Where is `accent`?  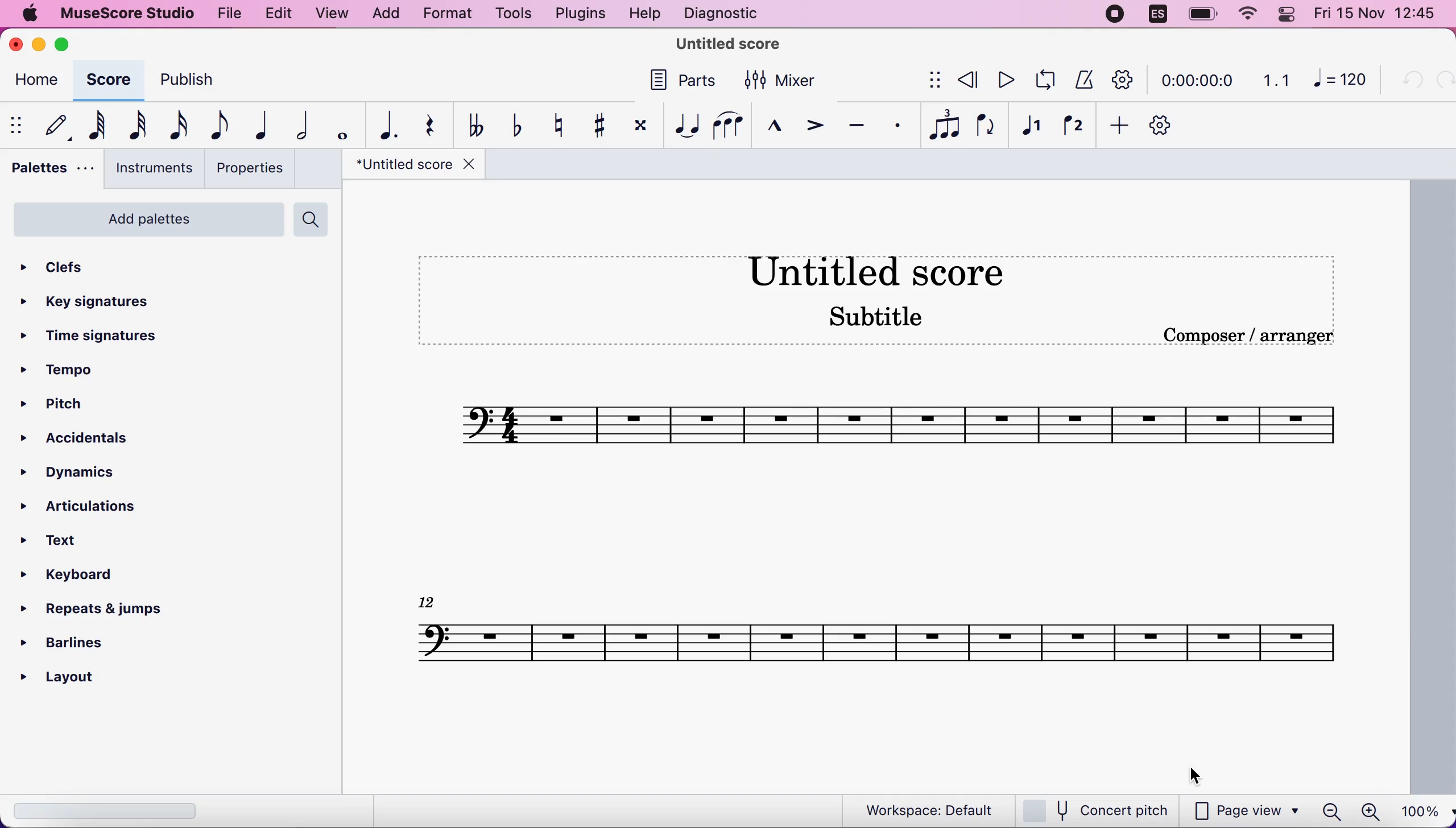
accent is located at coordinates (812, 122).